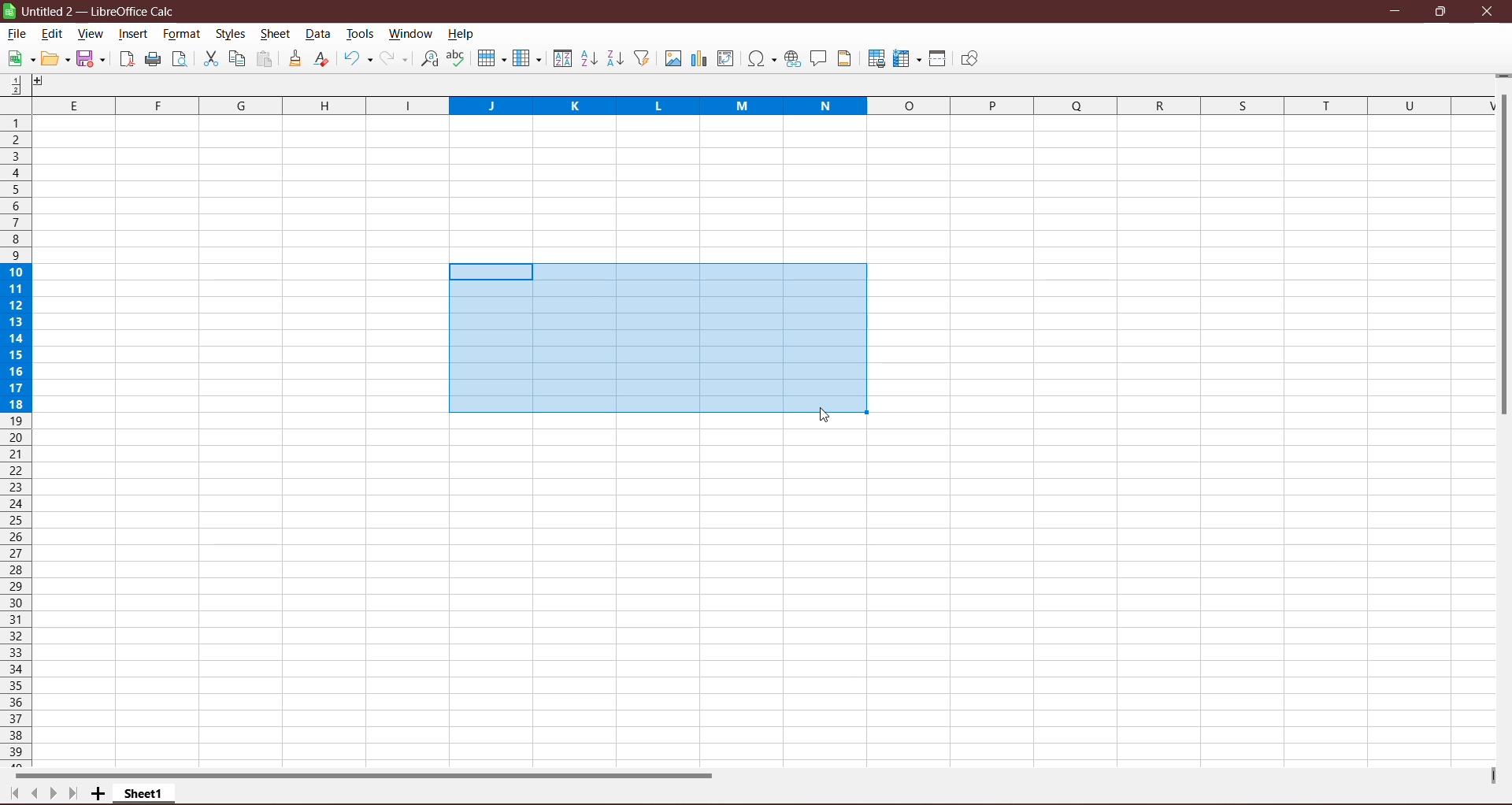 Image resolution: width=1512 pixels, height=805 pixels. Describe the element at coordinates (429, 58) in the screenshot. I see `Find and Replace` at that location.